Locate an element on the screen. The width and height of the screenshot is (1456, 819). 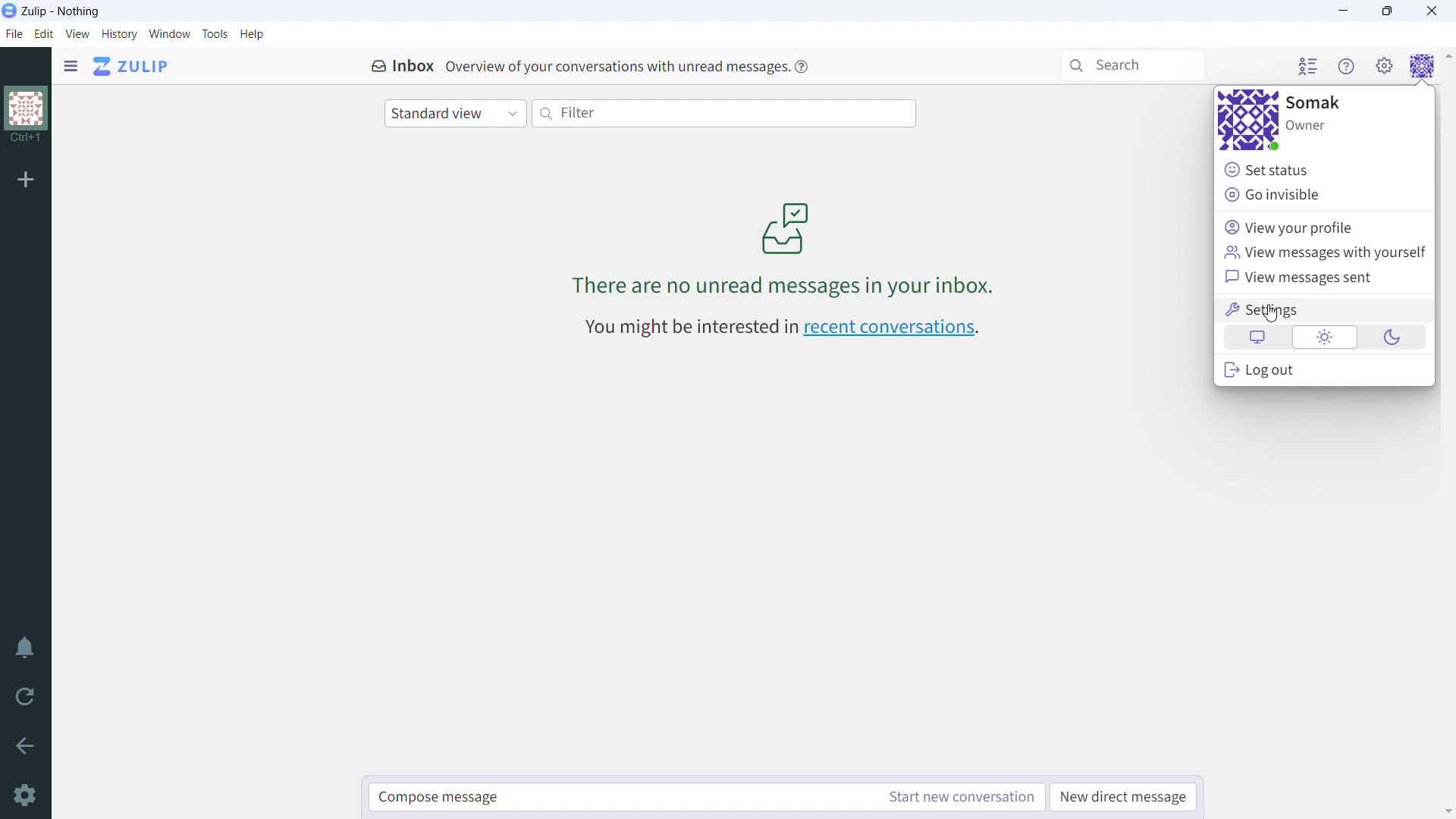
view messages sent is located at coordinates (1323, 278).